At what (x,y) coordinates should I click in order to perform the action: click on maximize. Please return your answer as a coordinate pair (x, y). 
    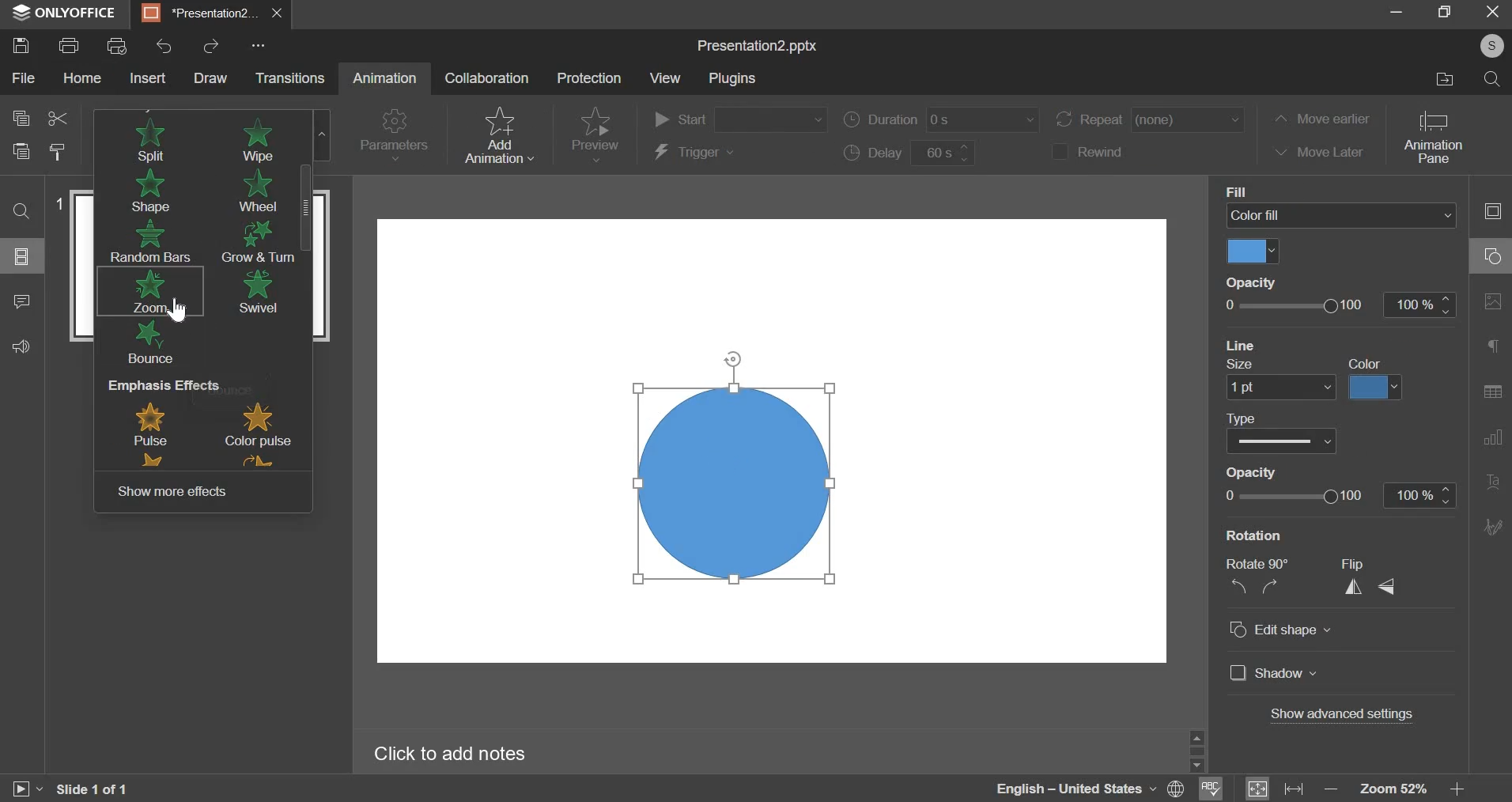
    Looking at the image, I should click on (1449, 12).